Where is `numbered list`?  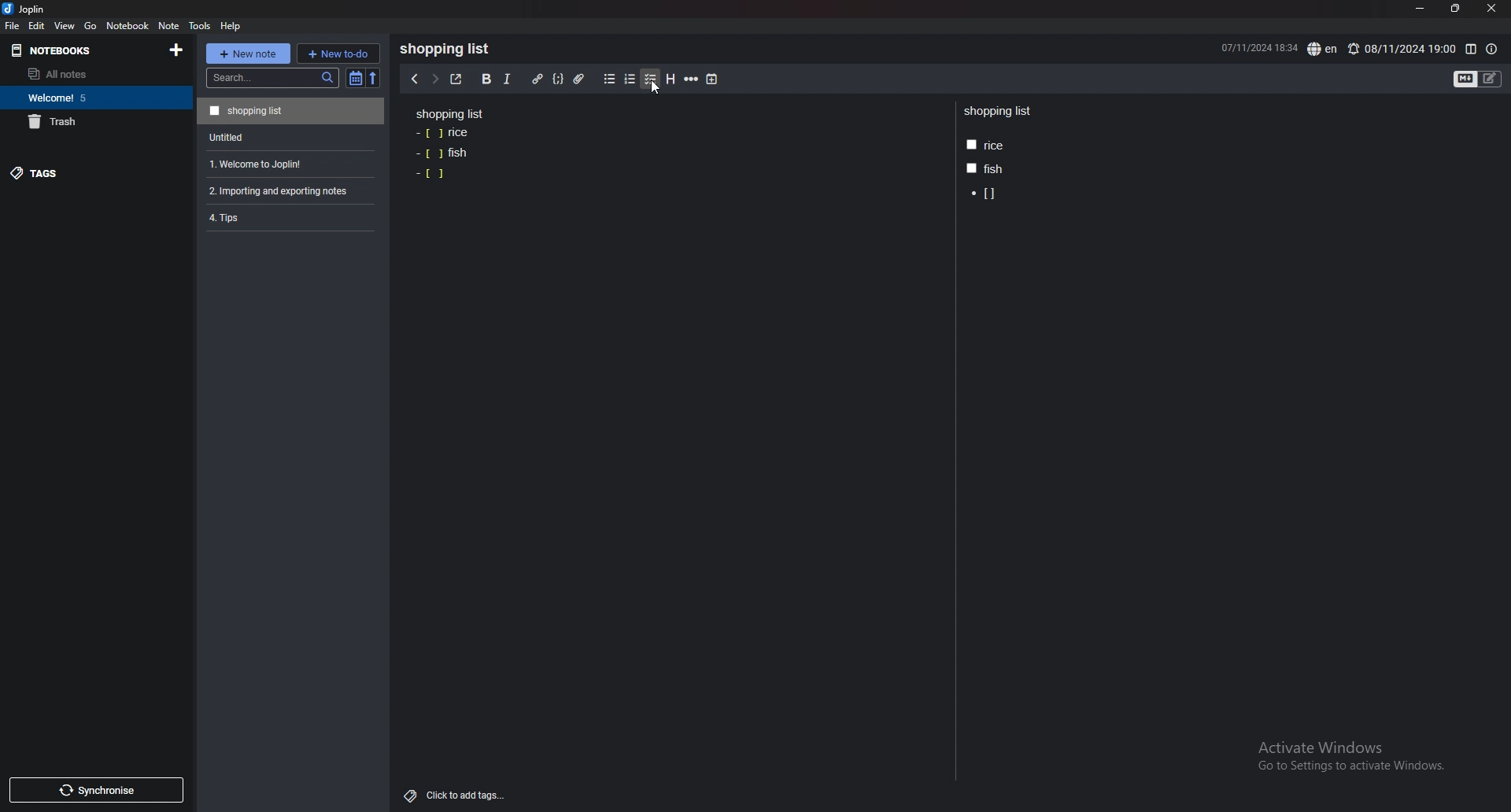 numbered list is located at coordinates (630, 79).